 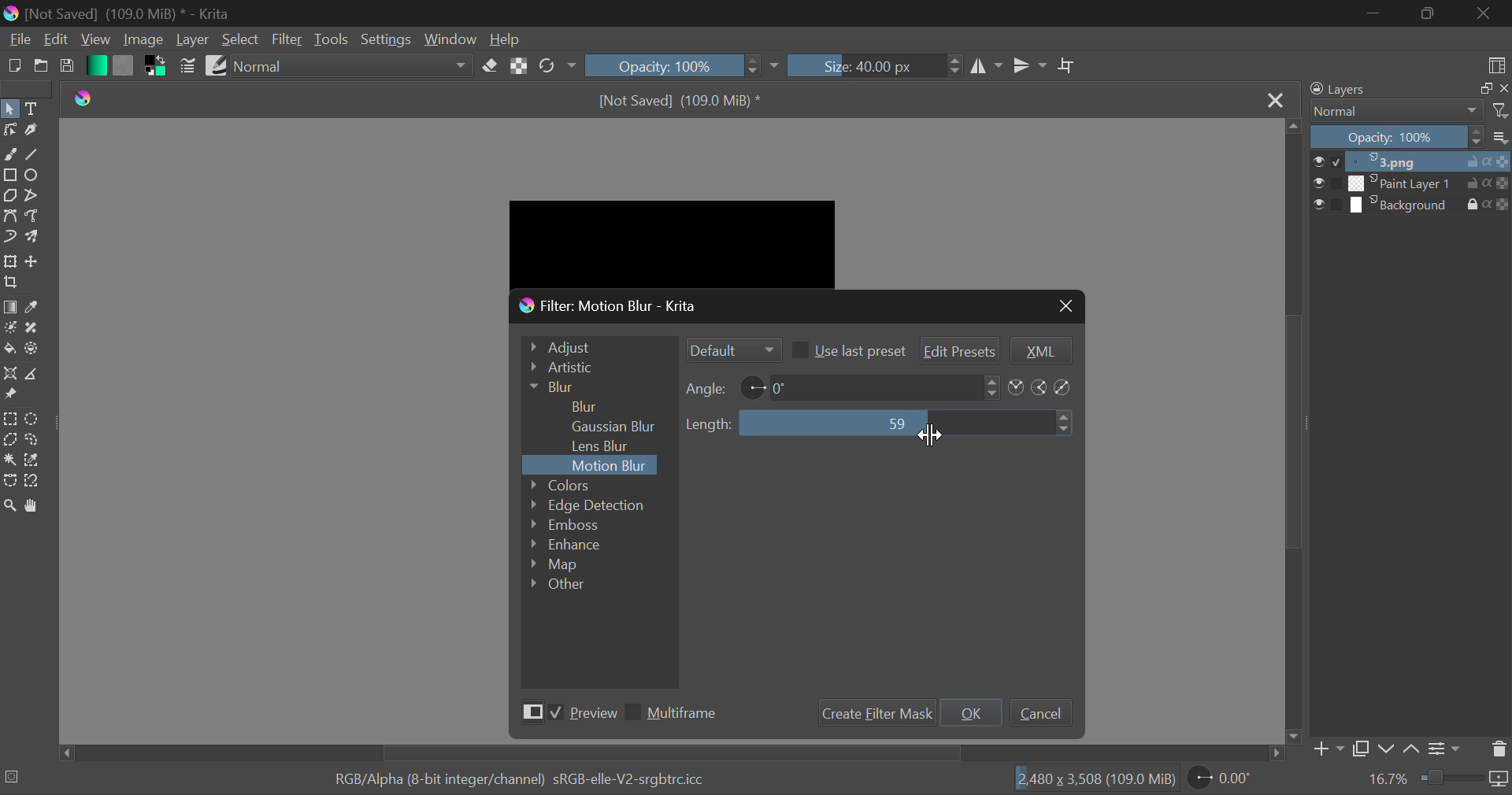 What do you see at coordinates (611, 466) in the screenshot?
I see `Motion Blur` at bounding box center [611, 466].